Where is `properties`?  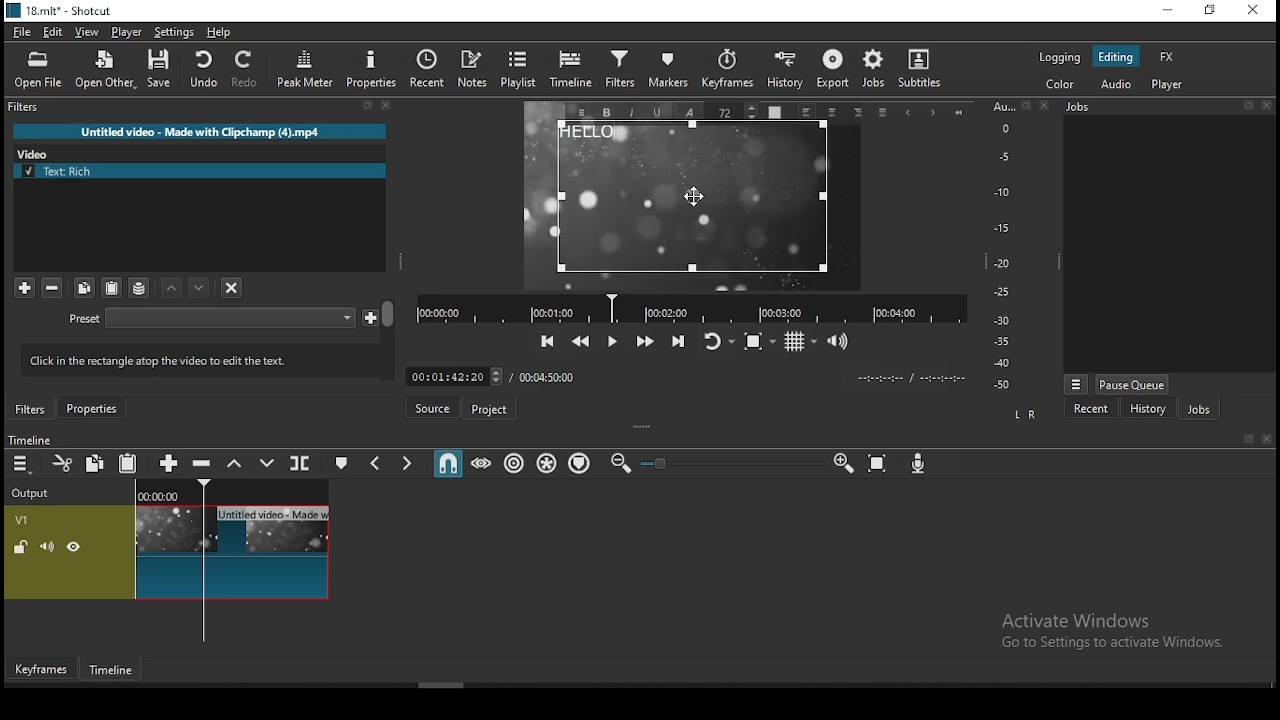
properties is located at coordinates (369, 69).